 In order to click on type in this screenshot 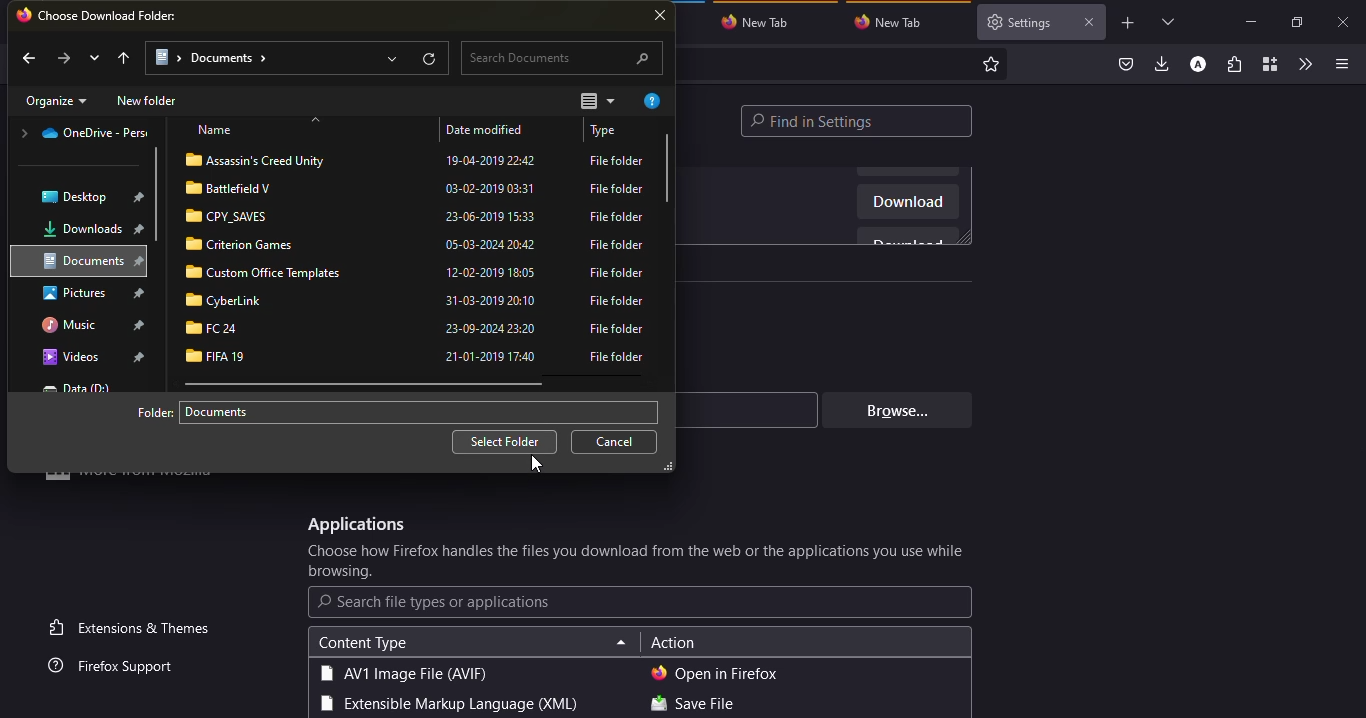, I will do `click(620, 246)`.